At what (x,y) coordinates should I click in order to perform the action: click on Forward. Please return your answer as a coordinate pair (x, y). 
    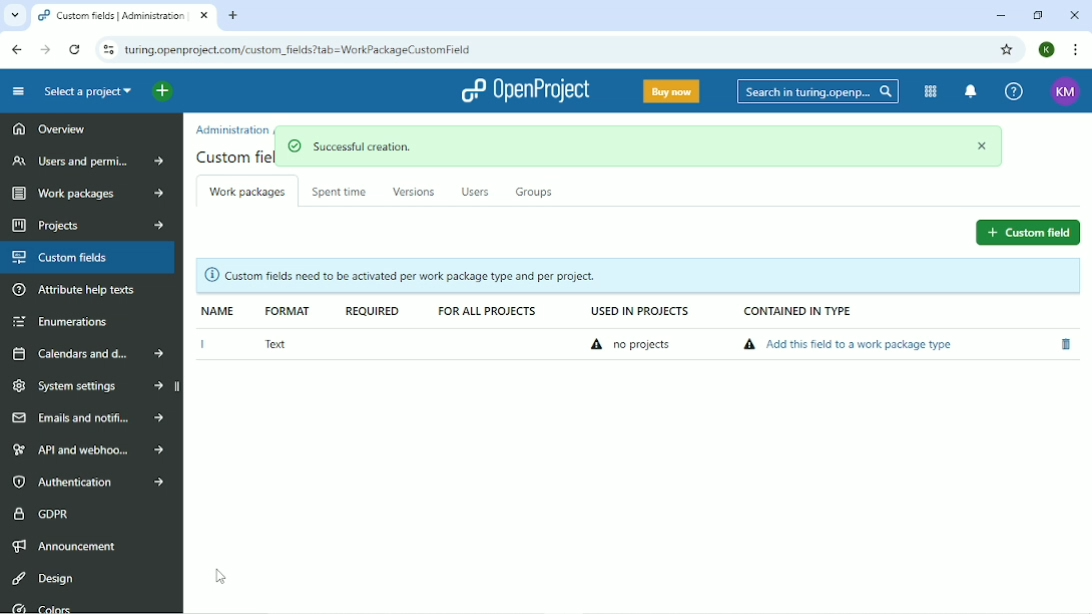
    Looking at the image, I should click on (45, 49).